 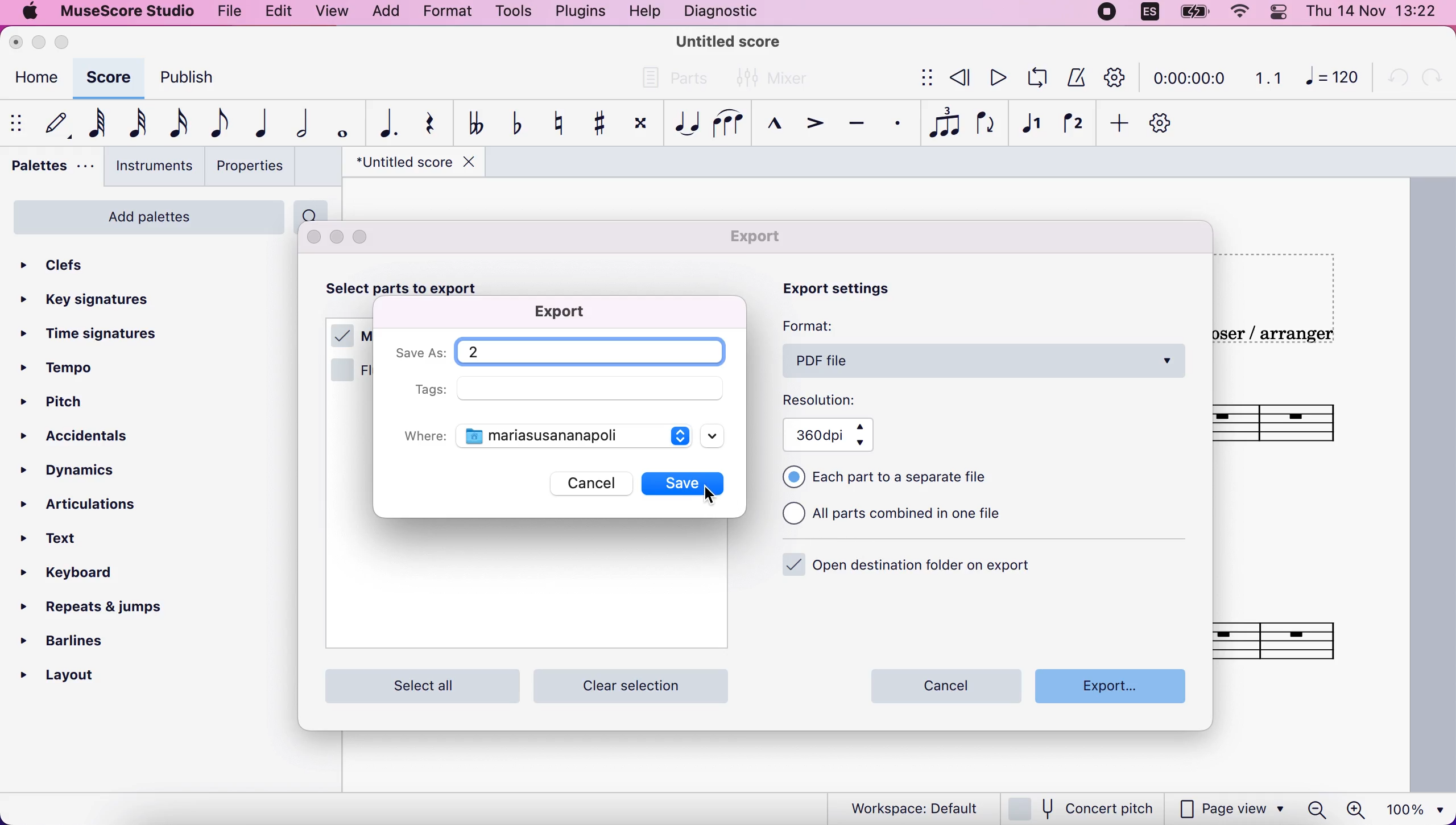 I want to click on toggle double sharp, so click(x=638, y=124).